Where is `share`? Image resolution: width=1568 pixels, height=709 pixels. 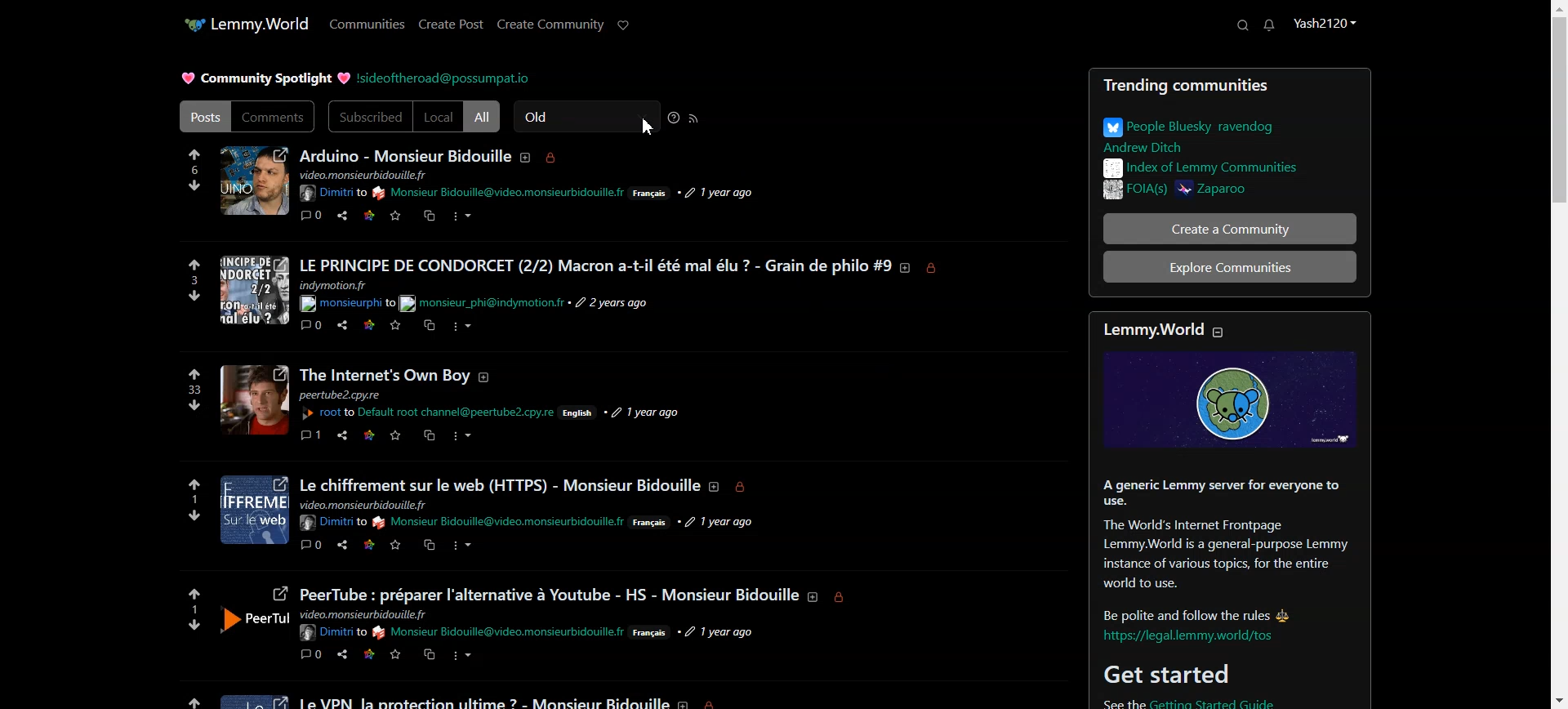 share is located at coordinates (341, 545).